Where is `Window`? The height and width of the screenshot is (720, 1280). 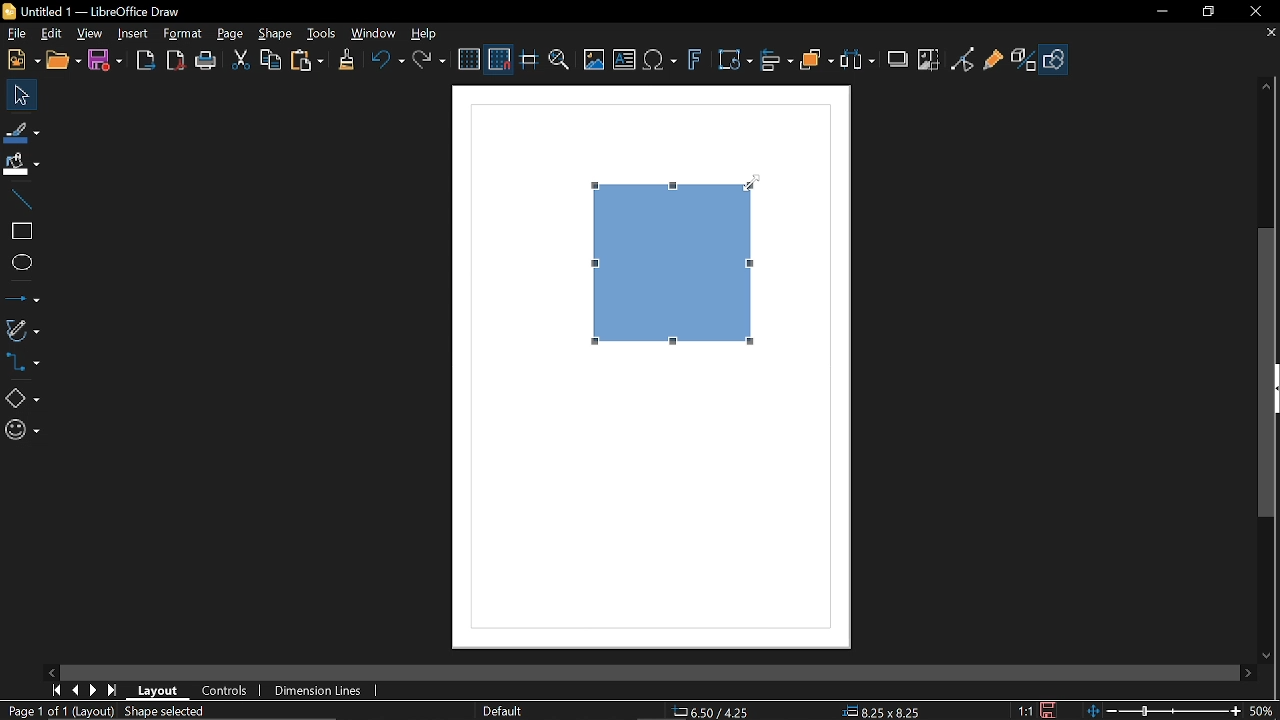
Window is located at coordinates (376, 35).